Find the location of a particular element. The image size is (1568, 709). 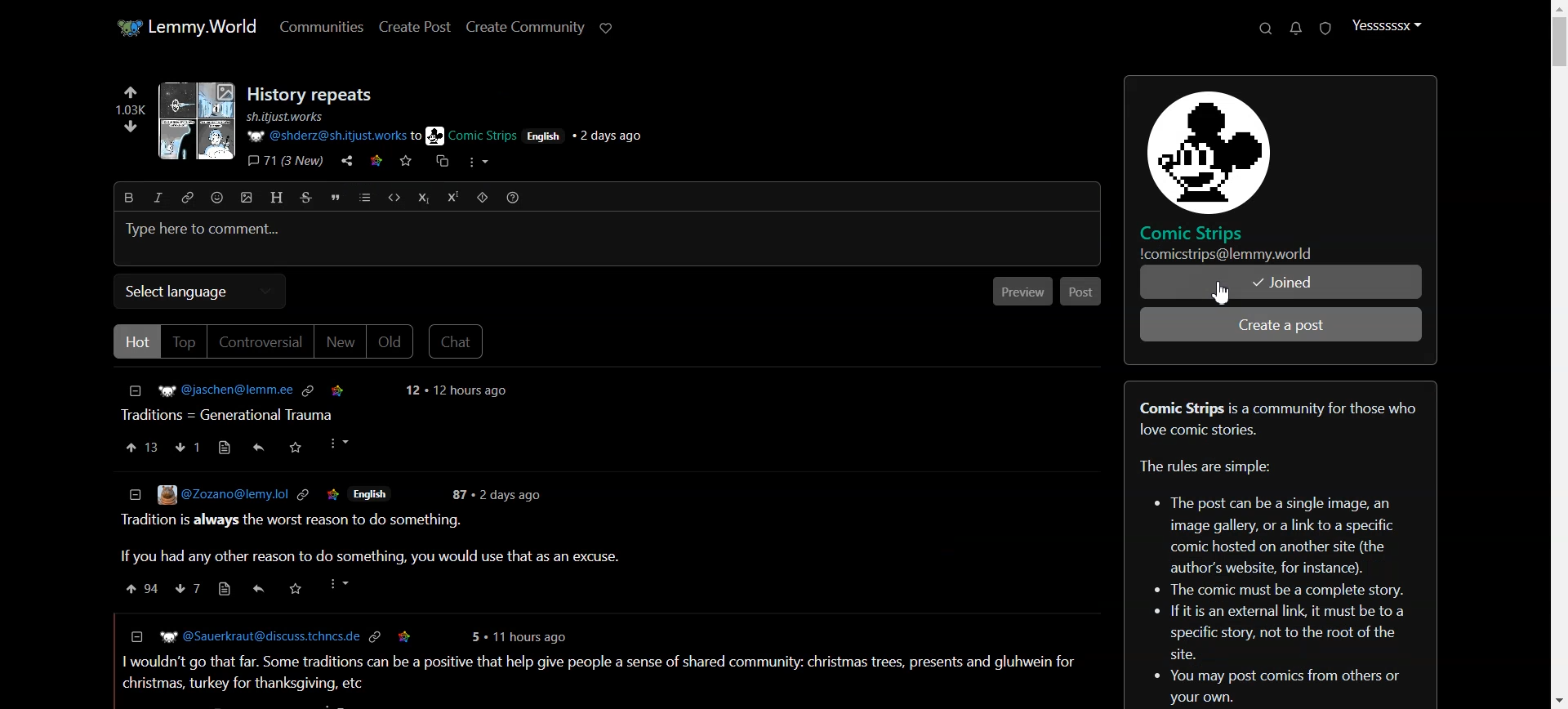

More is located at coordinates (478, 163).